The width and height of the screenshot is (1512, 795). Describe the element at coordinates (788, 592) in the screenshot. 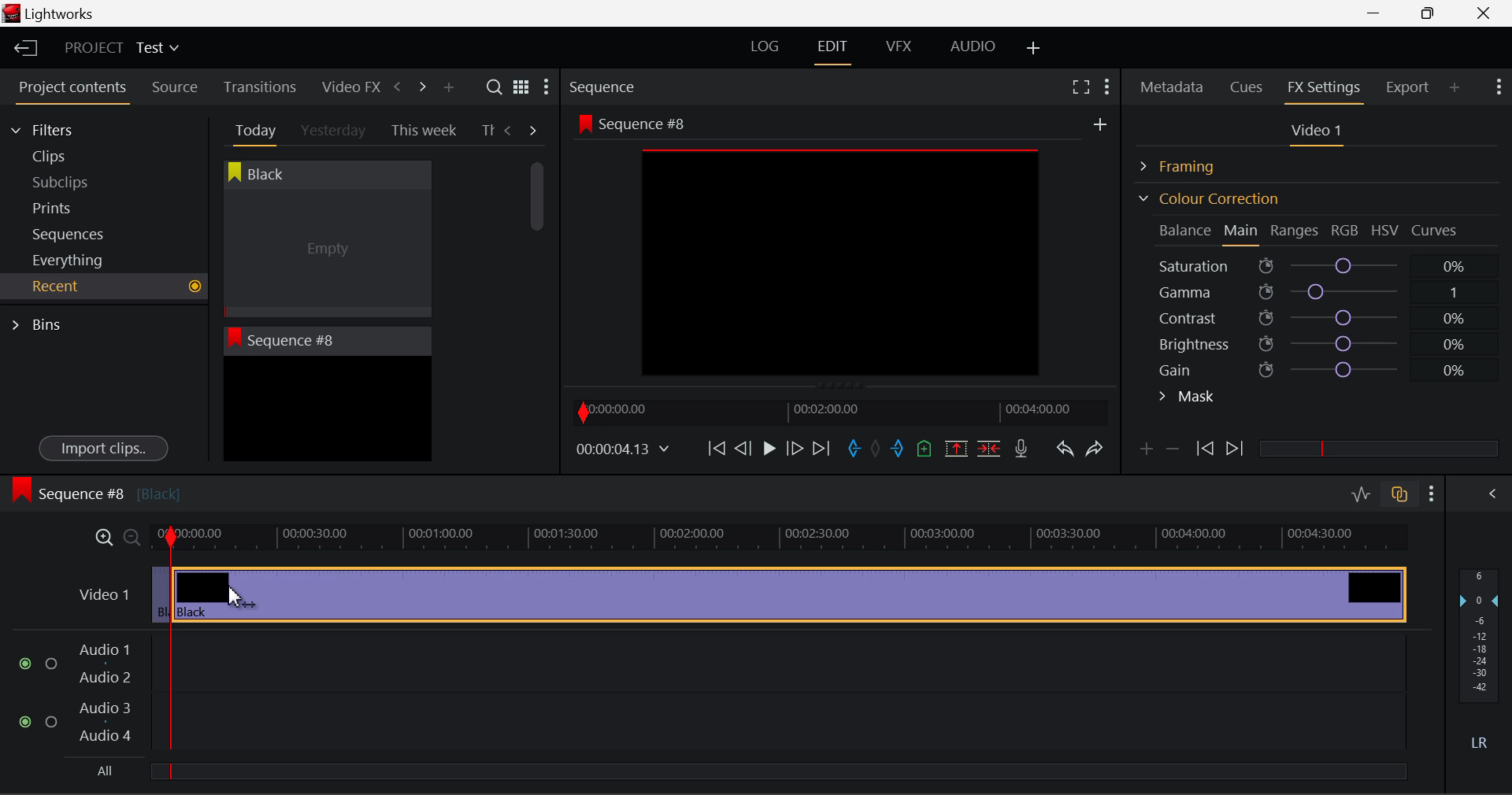

I see `Clip 2 Segment Selected to Delete` at that location.